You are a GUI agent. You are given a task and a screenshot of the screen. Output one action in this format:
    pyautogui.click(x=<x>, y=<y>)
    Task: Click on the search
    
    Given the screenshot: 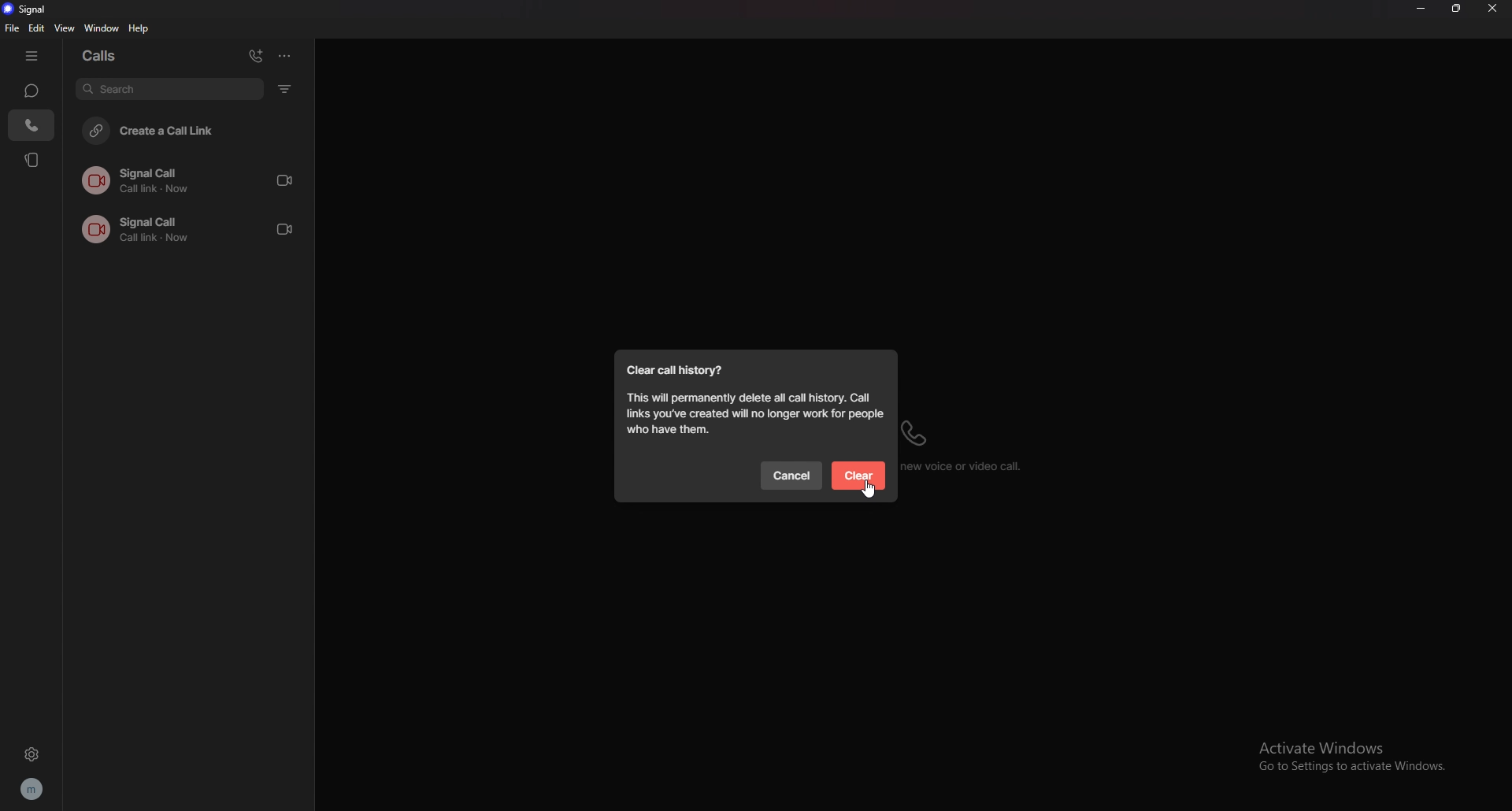 What is the action you would take?
    pyautogui.click(x=169, y=90)
    